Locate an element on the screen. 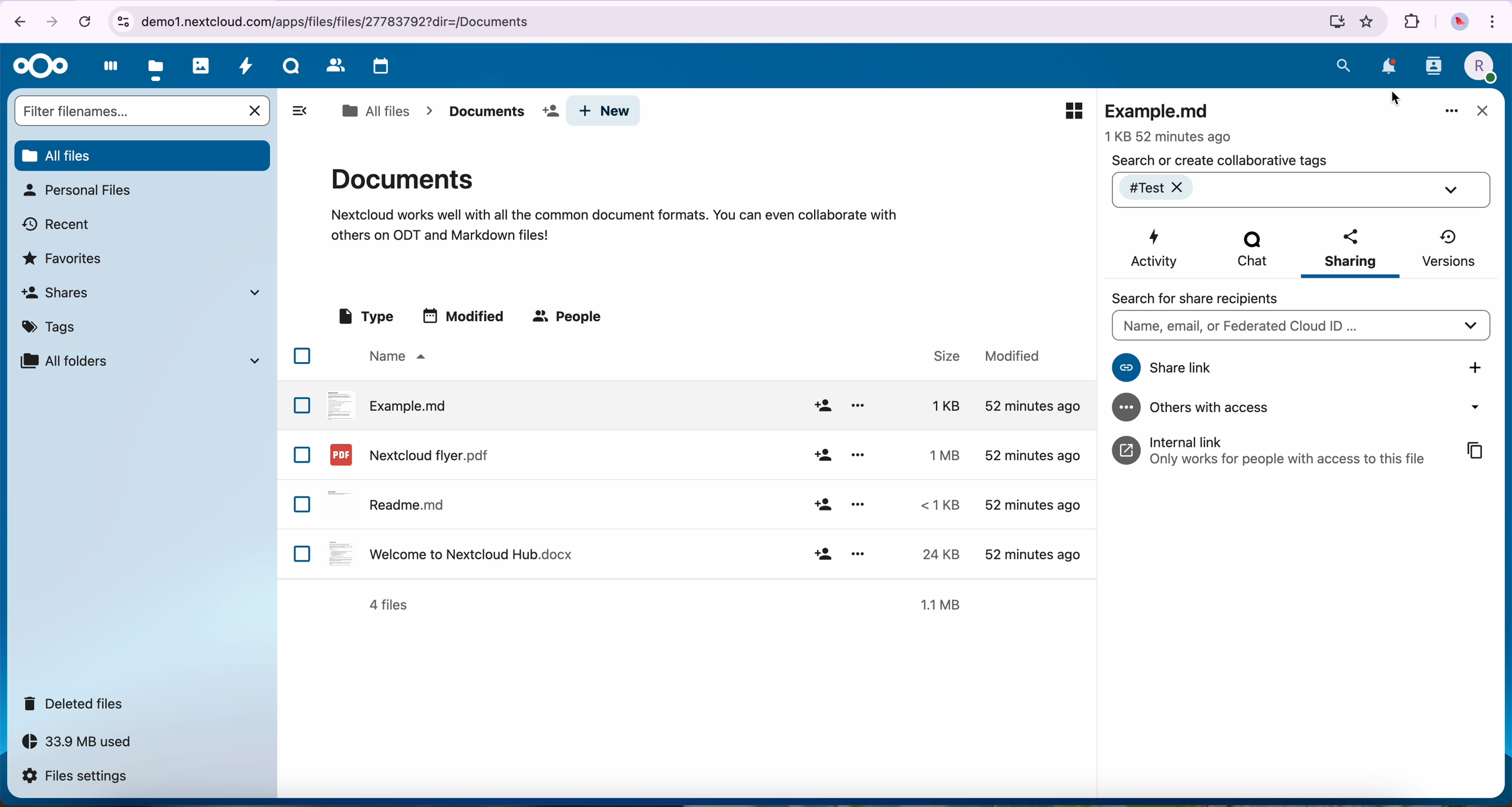 The image size is (1512, 807). options is located at coordinates (859, 504).